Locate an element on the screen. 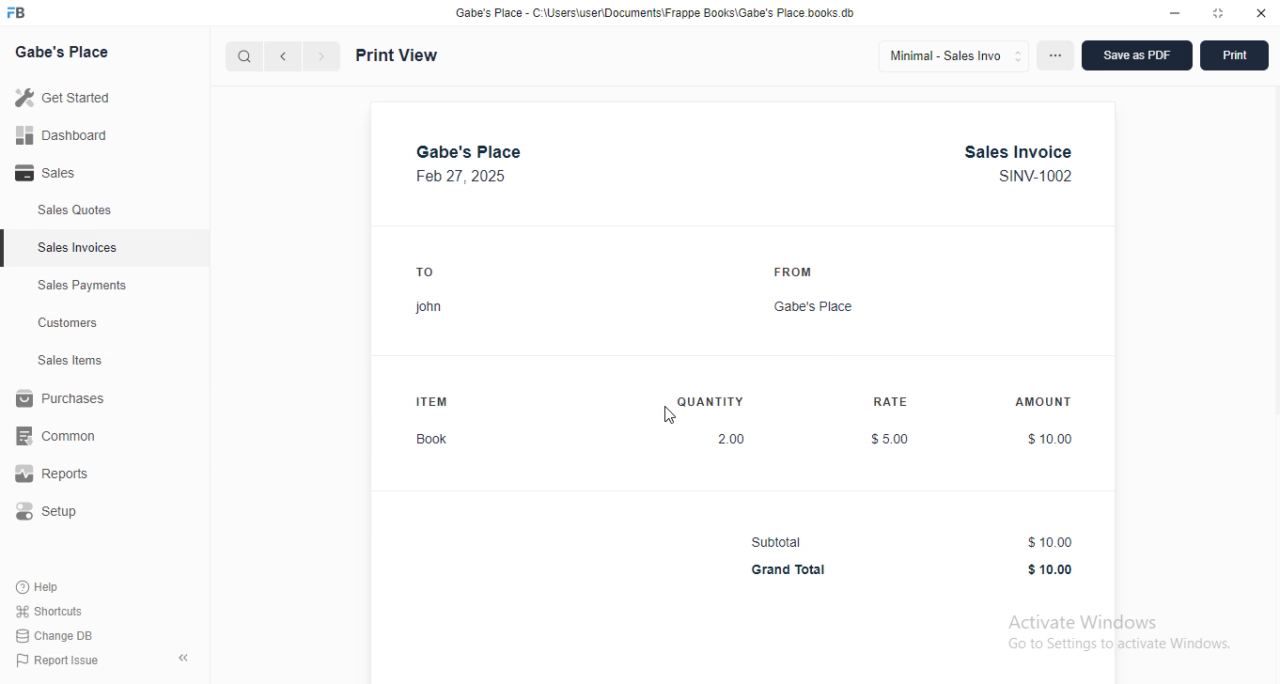 The height and width of the screenshot is (684, 1280). previous is located at coordinates (283, 56).